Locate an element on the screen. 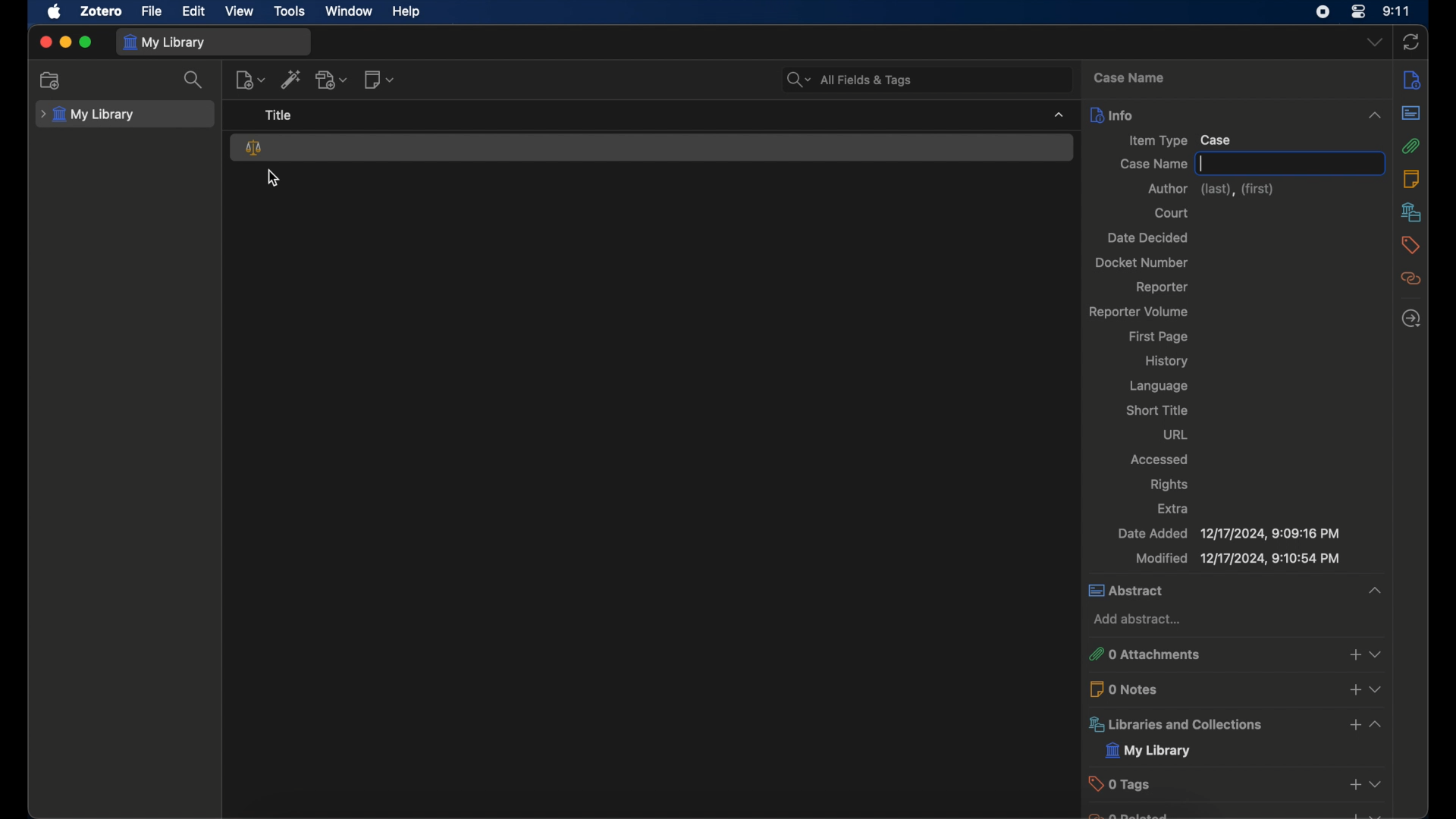 The width and height of the screenshot is (1456, 819). accessed is located at coordinates (1159, 460).